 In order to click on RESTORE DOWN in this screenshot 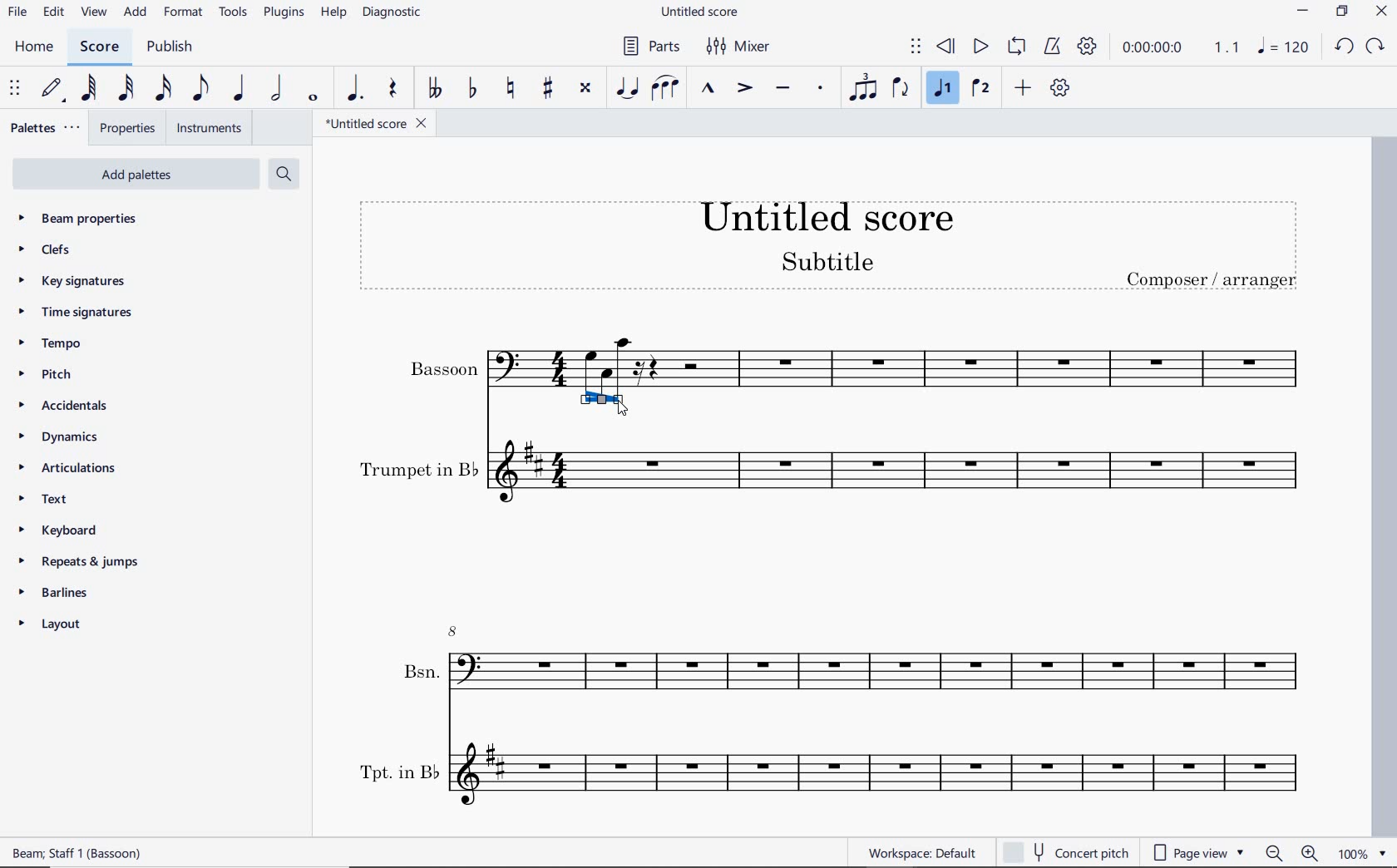, I will do `click(1341, 11)`.